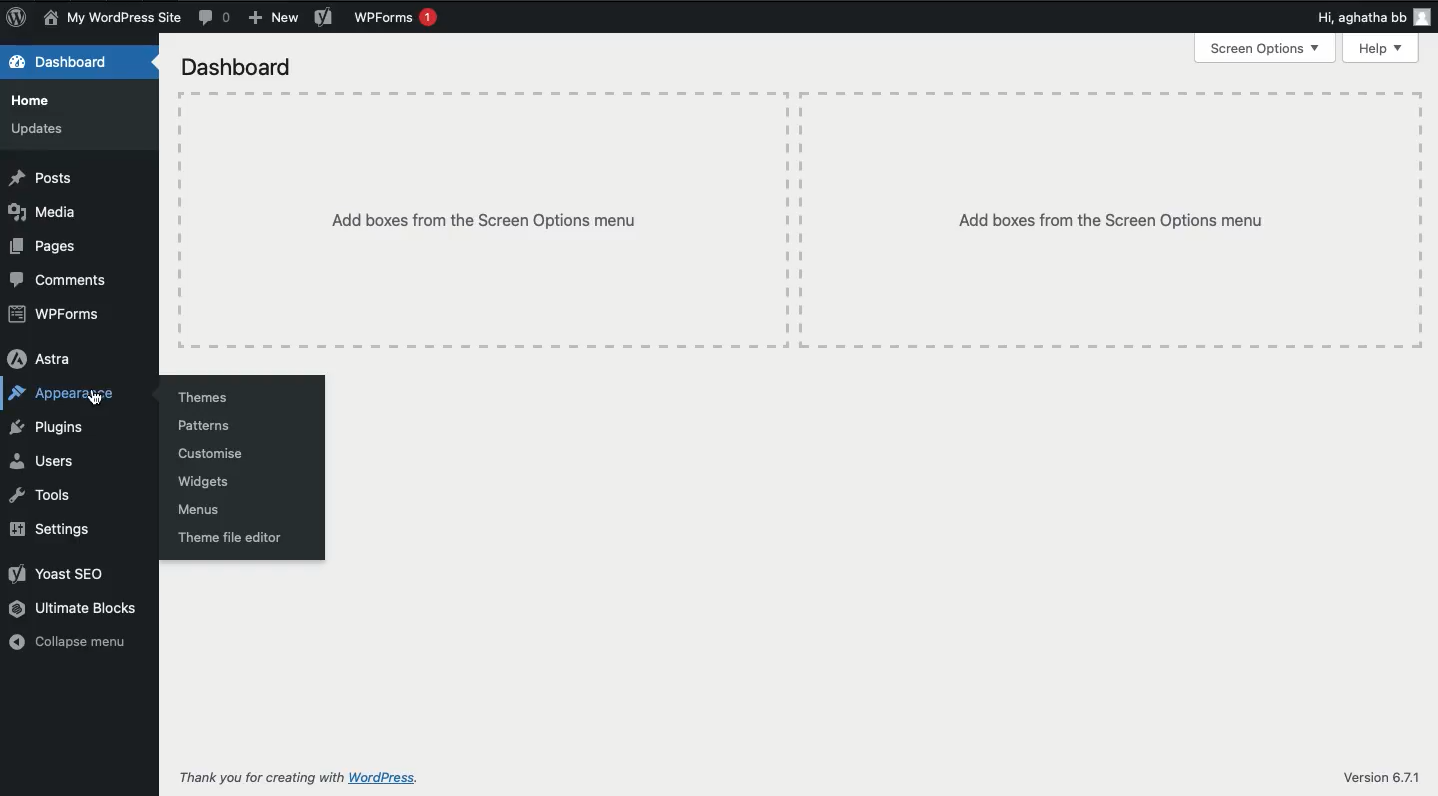  What do you see at coordinates (1380, 49) in the screenshot?
I see `Help` at bounding box center [1380, 49].